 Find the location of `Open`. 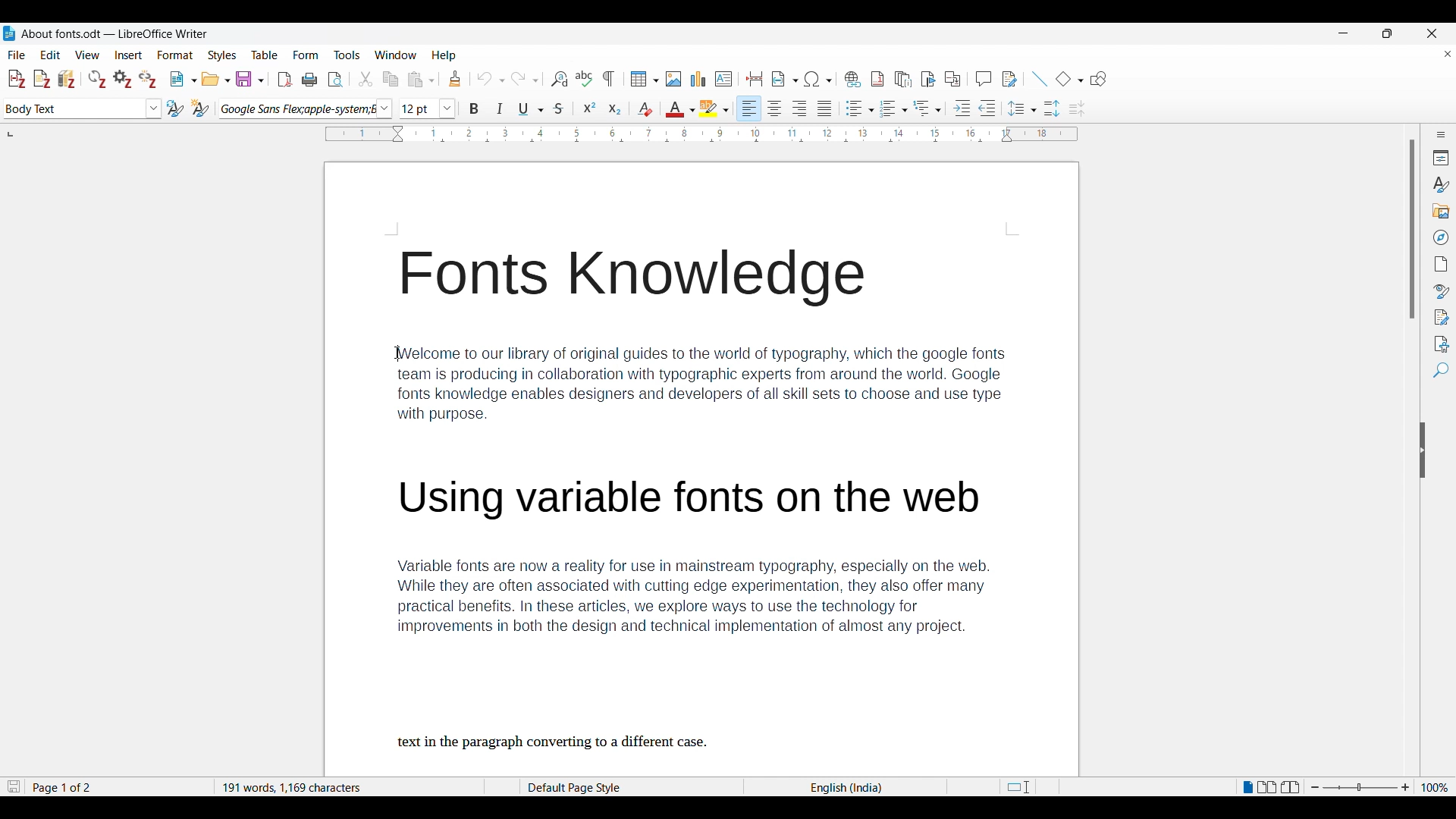

Open is located at coordinates (216, 79).